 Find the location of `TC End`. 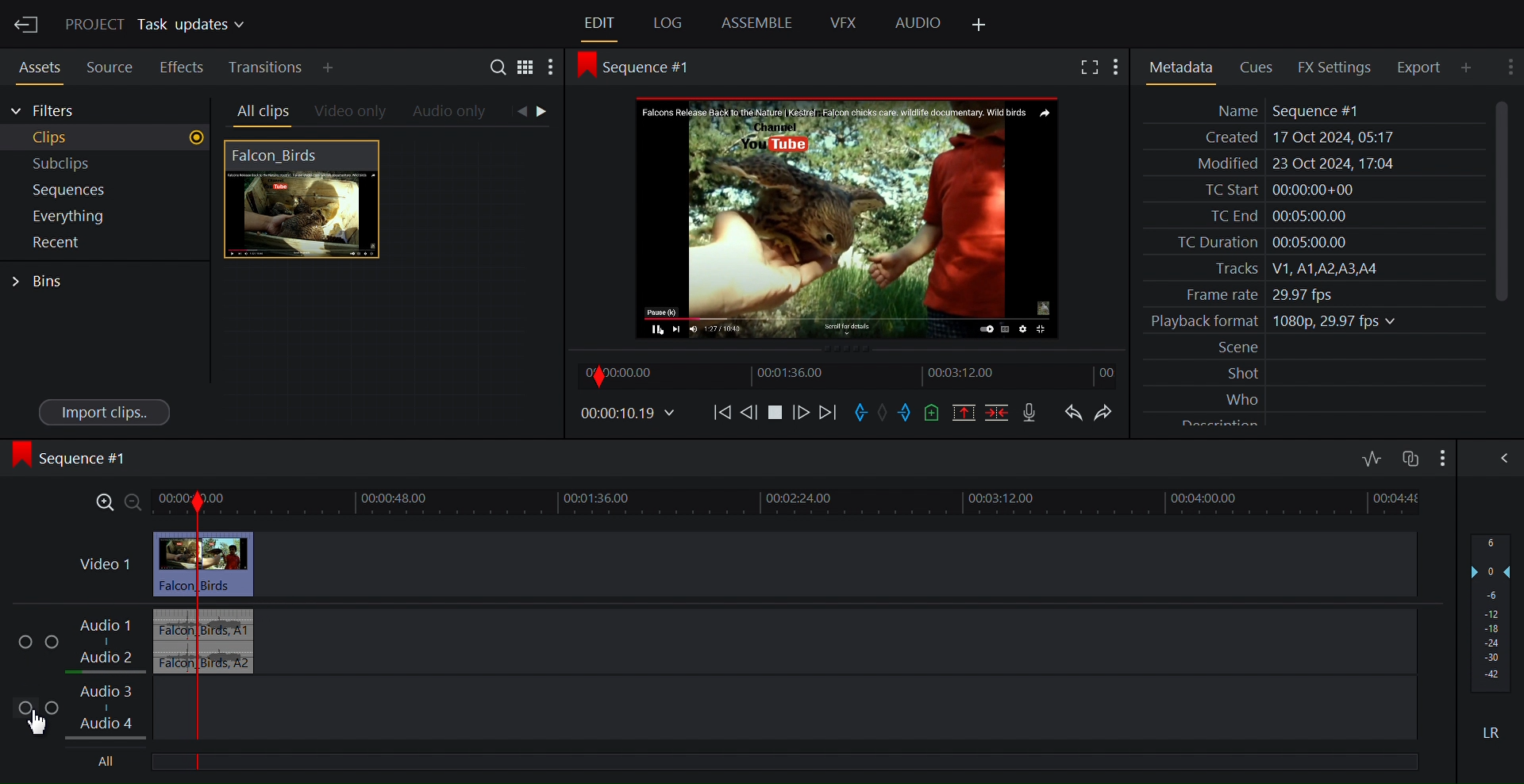

TC End is located at coordinates (1313, 214).